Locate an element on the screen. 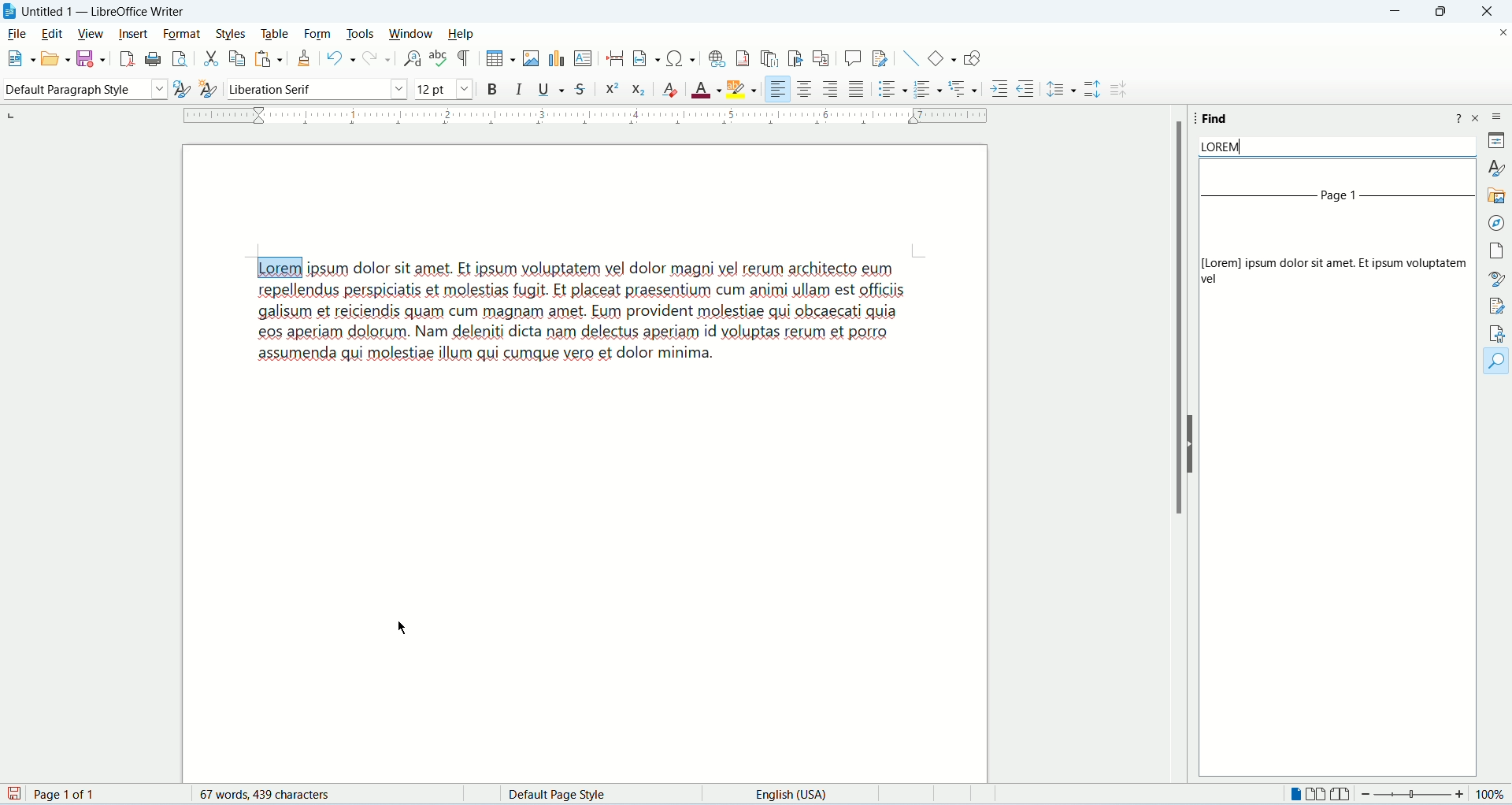 The width and height of the screenshot is (1512, 805). scroll bar is located at coordinates (1181, 318).